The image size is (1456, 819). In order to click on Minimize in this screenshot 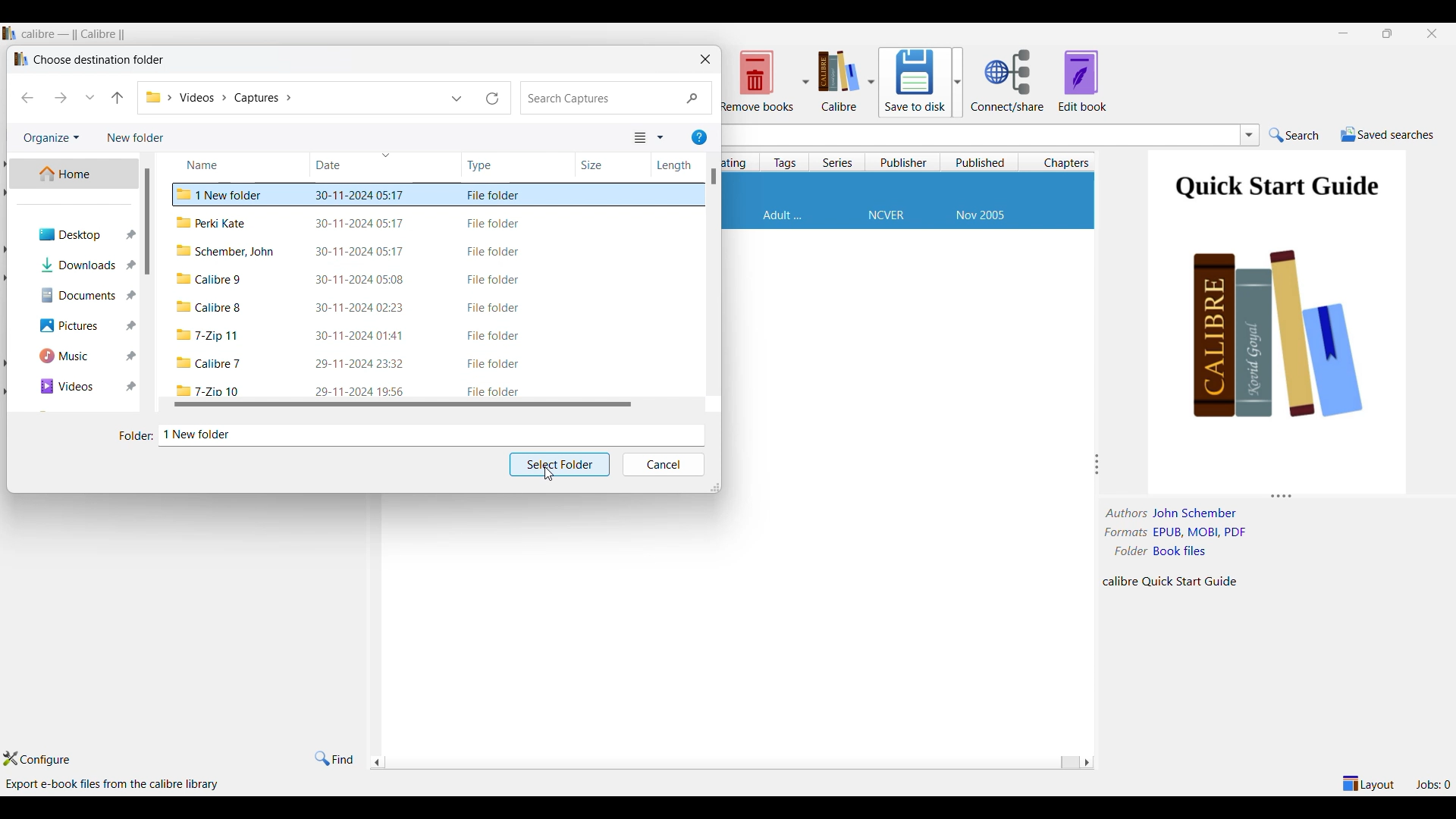, I will do `click(1343, 33)`.